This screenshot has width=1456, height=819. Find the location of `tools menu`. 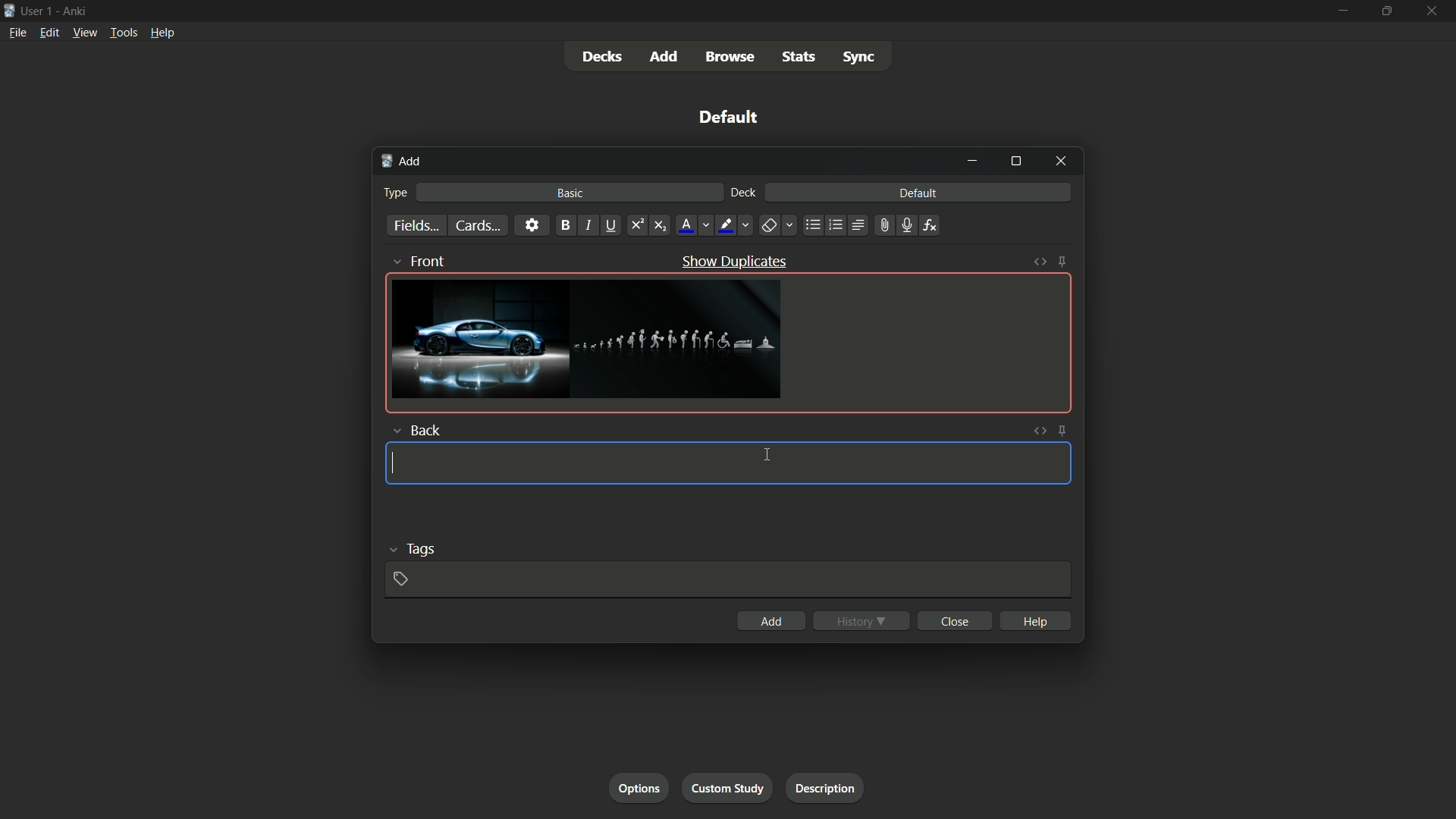

tools menu is located at coordinates (121, 33).